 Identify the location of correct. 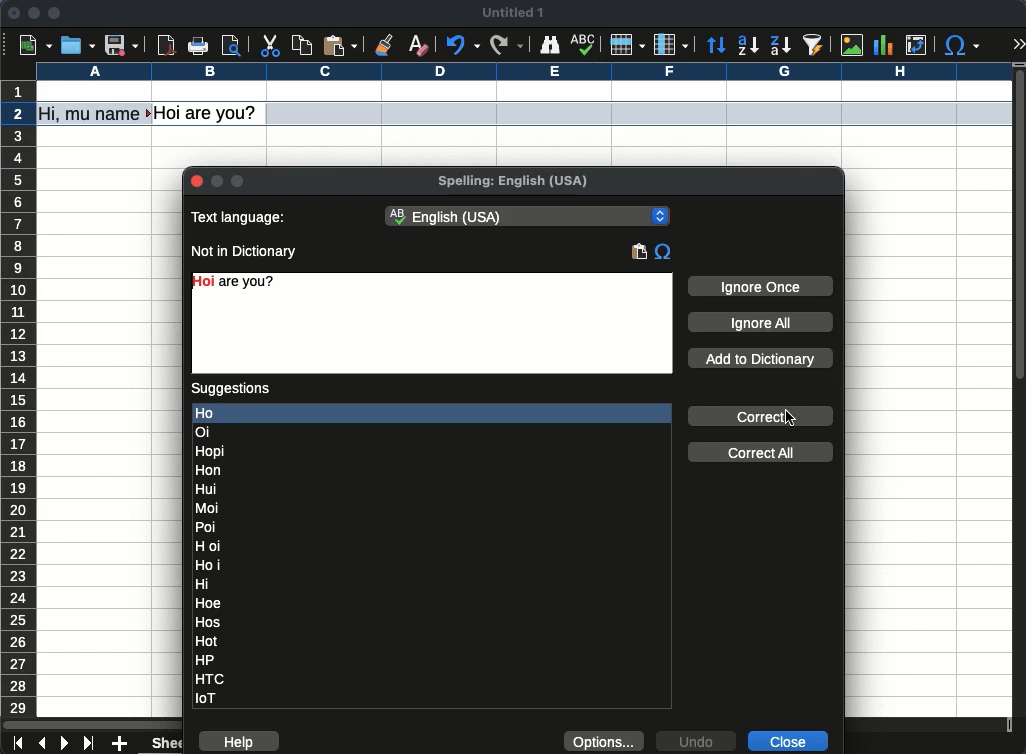
(759, 416).